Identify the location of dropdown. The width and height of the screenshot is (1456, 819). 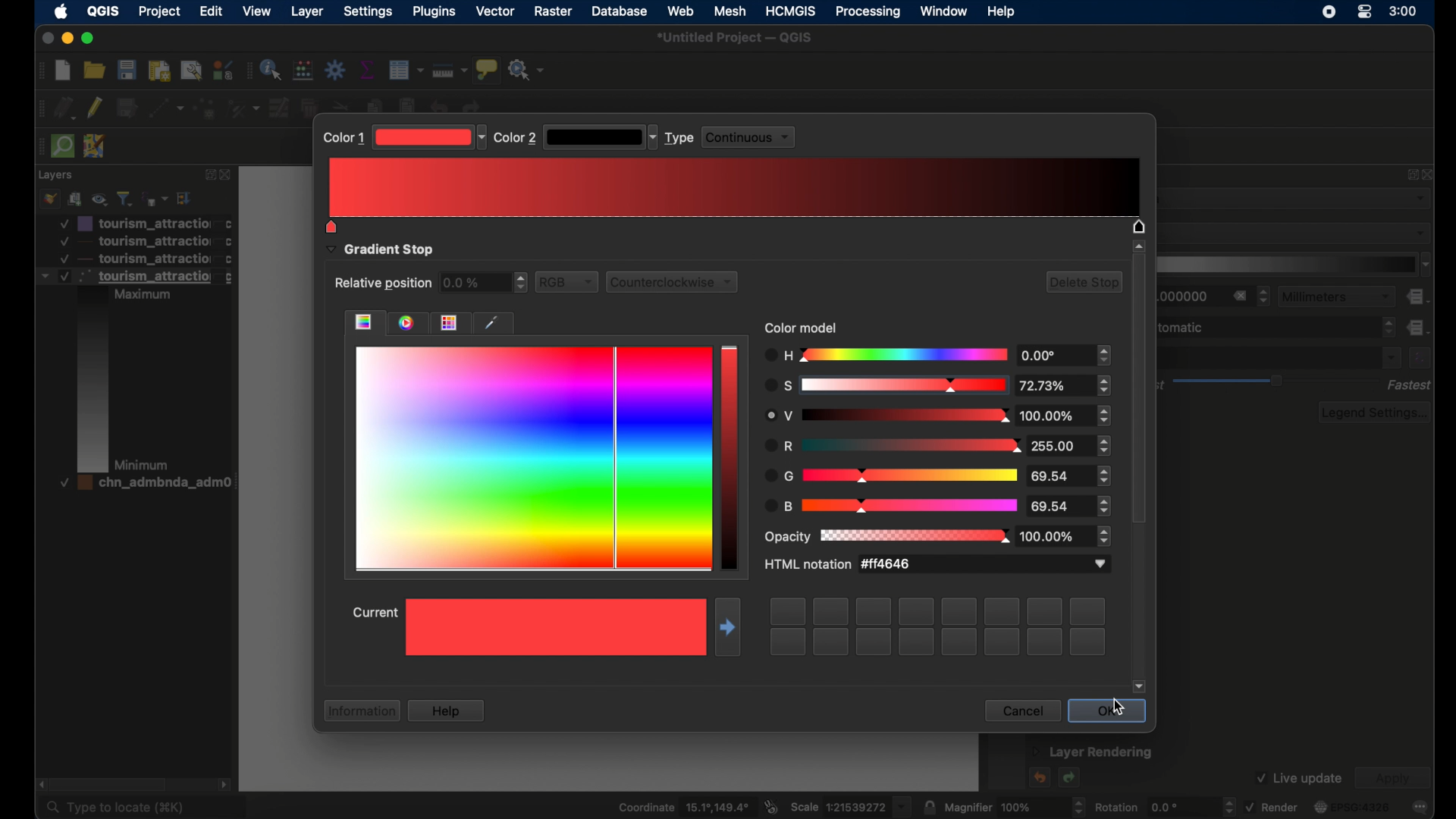
(601, 137).